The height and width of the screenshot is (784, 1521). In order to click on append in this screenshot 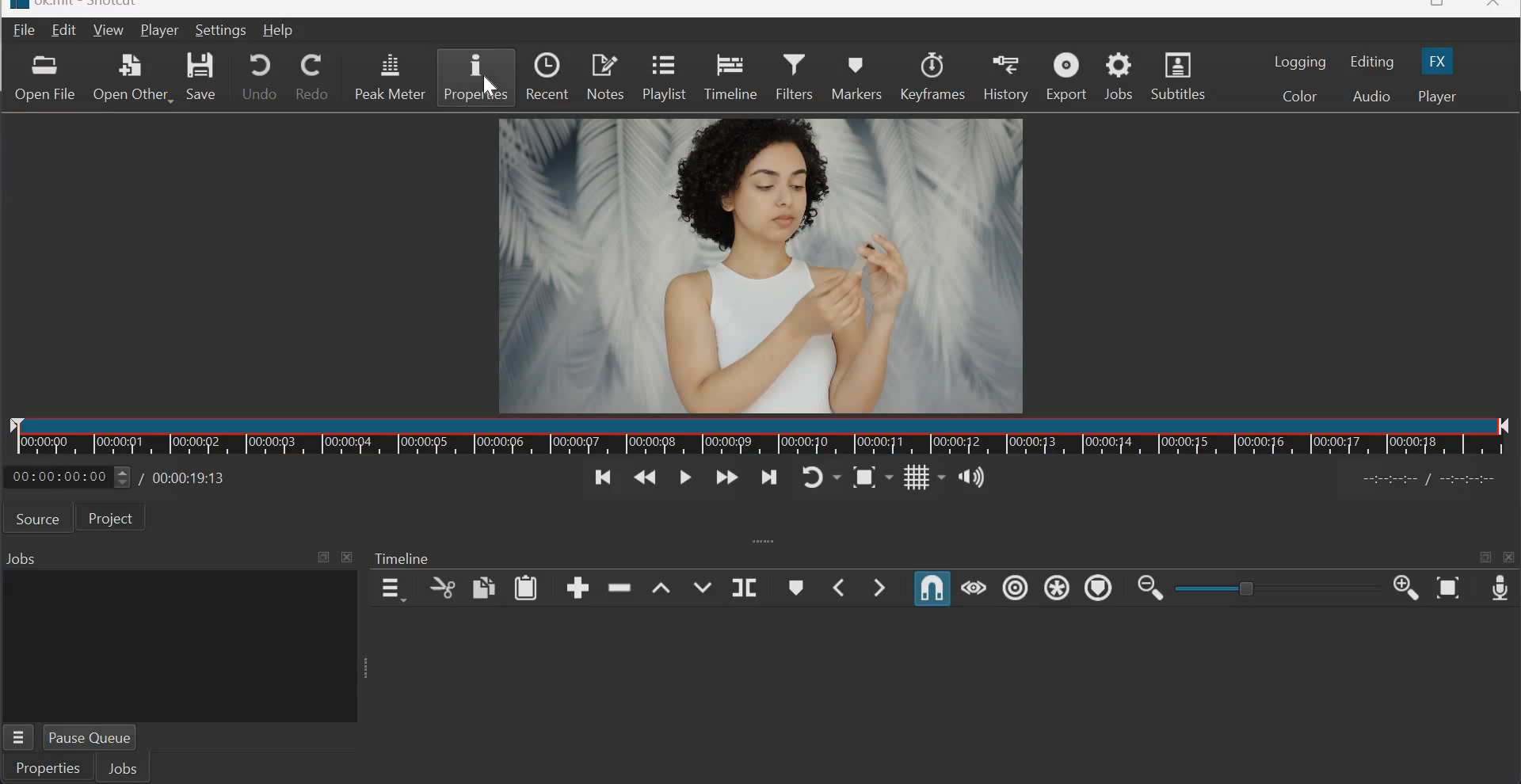, I will do `click(578, 588)`.